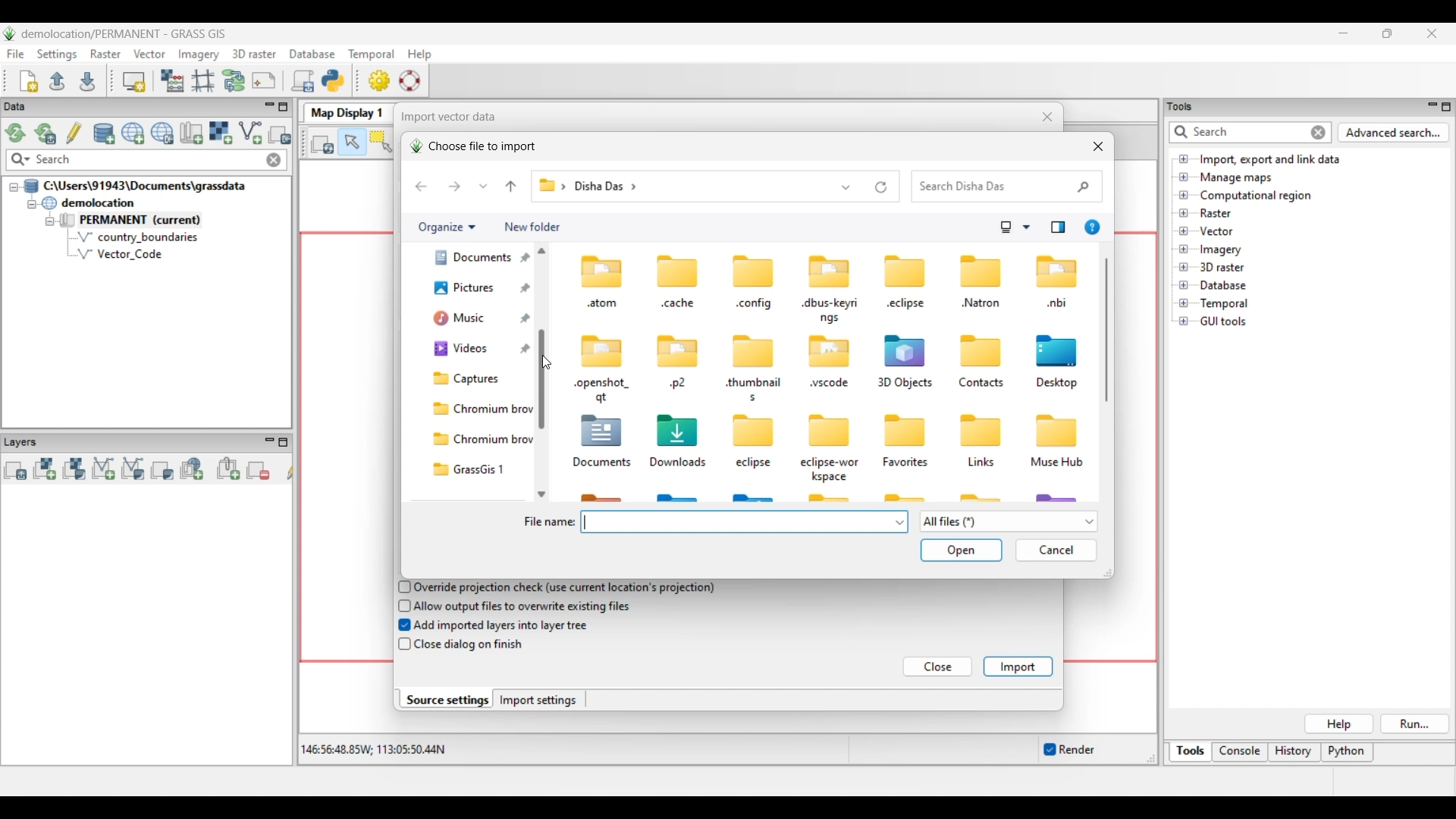  Describe the element at coordinates (1098, 146) in the screenshot. I see `Close window` at that location.